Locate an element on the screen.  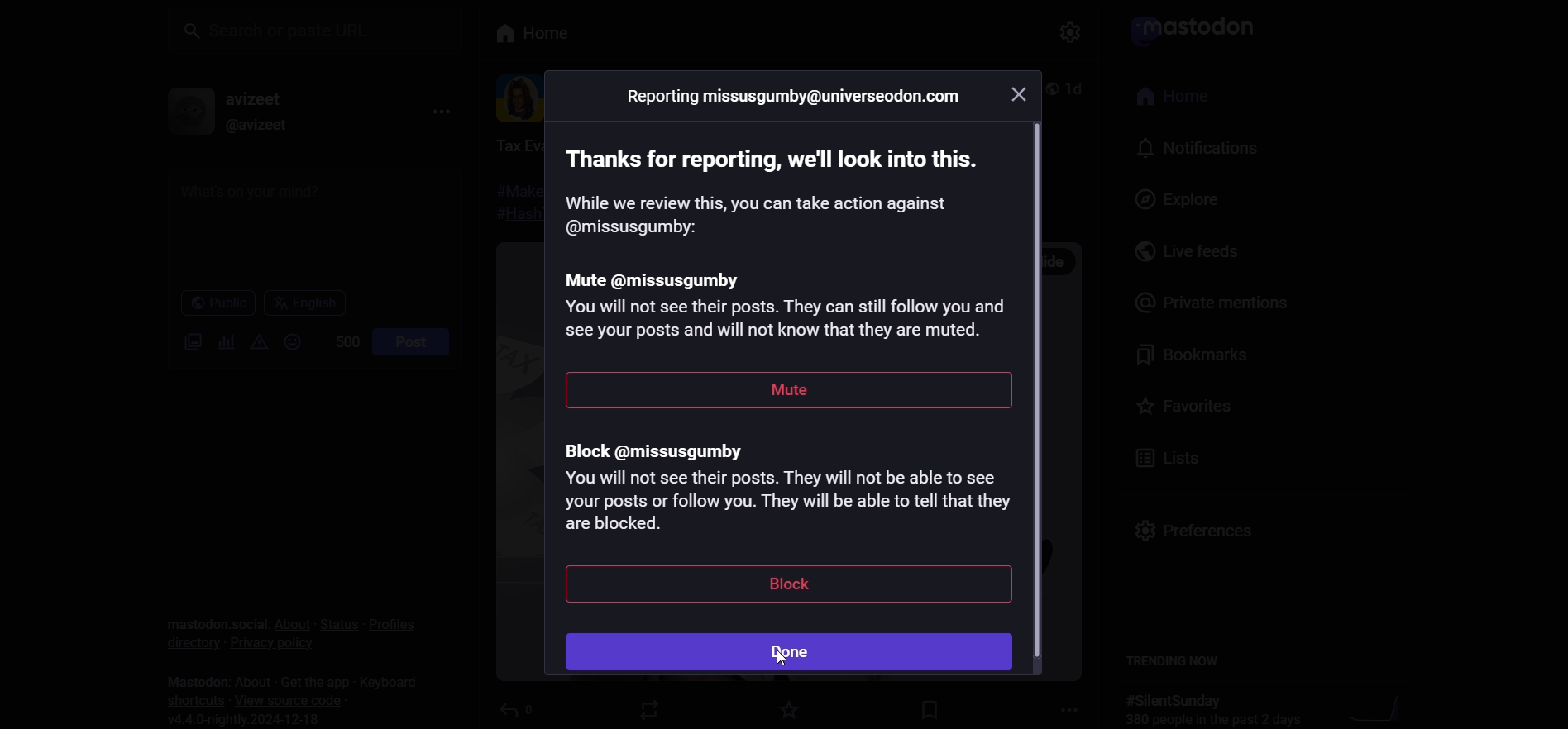
reporting ID is located at coordinates (795, 97).